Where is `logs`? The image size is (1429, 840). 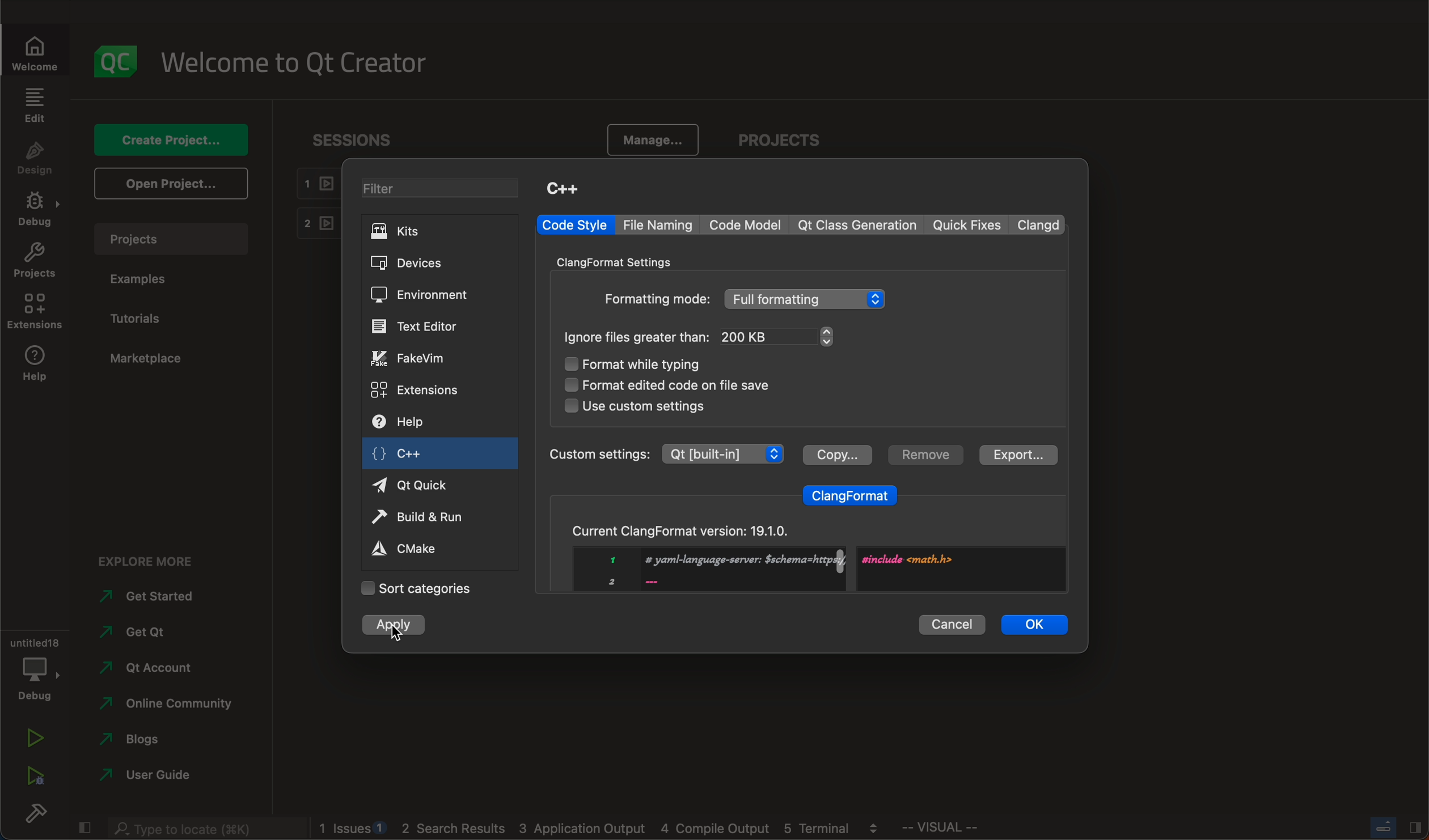 logs is located at coordinates (606, 829).